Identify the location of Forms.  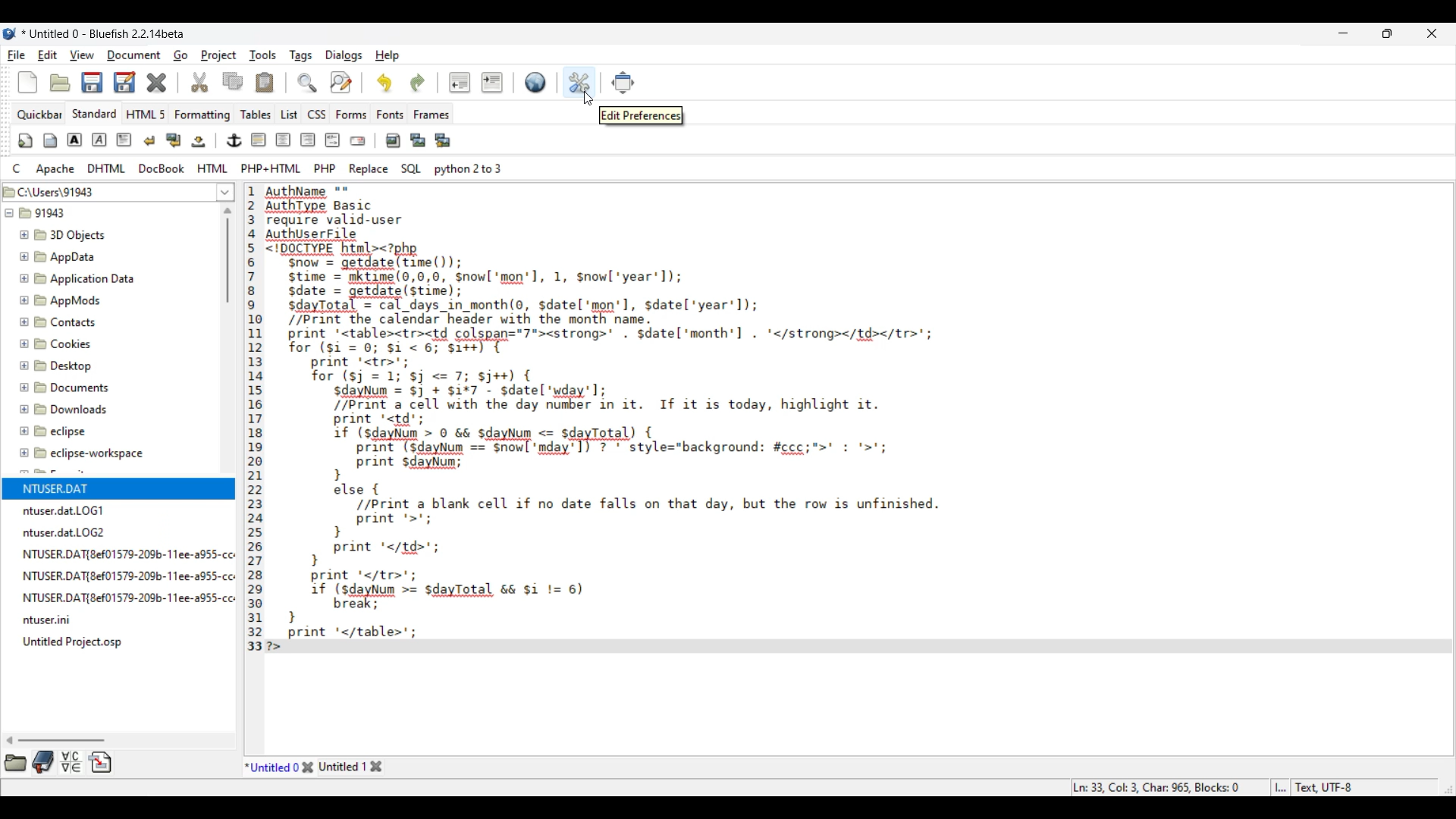
(351, 115).